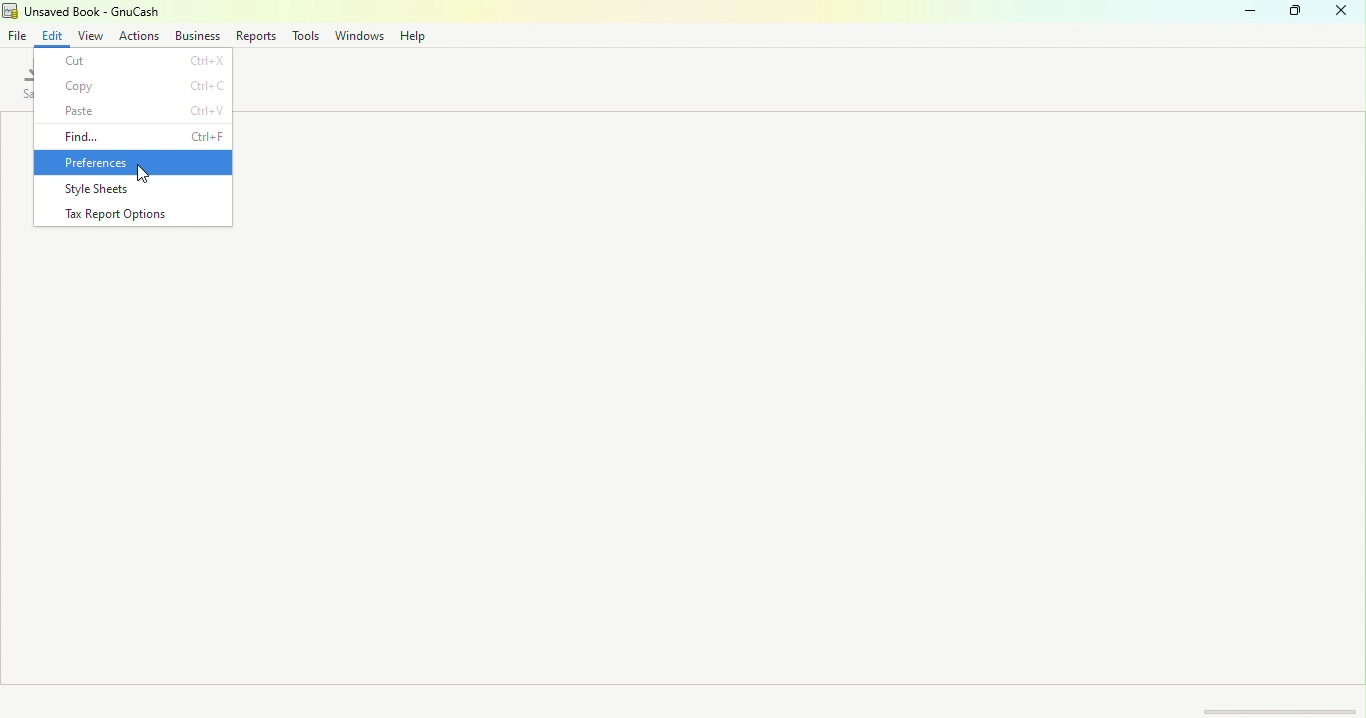 This screenshot has height=718, width=1366. What do you see at coordinates (57, 35) in the screenshot?
I see `Edit` at bounding box center [57, 35].